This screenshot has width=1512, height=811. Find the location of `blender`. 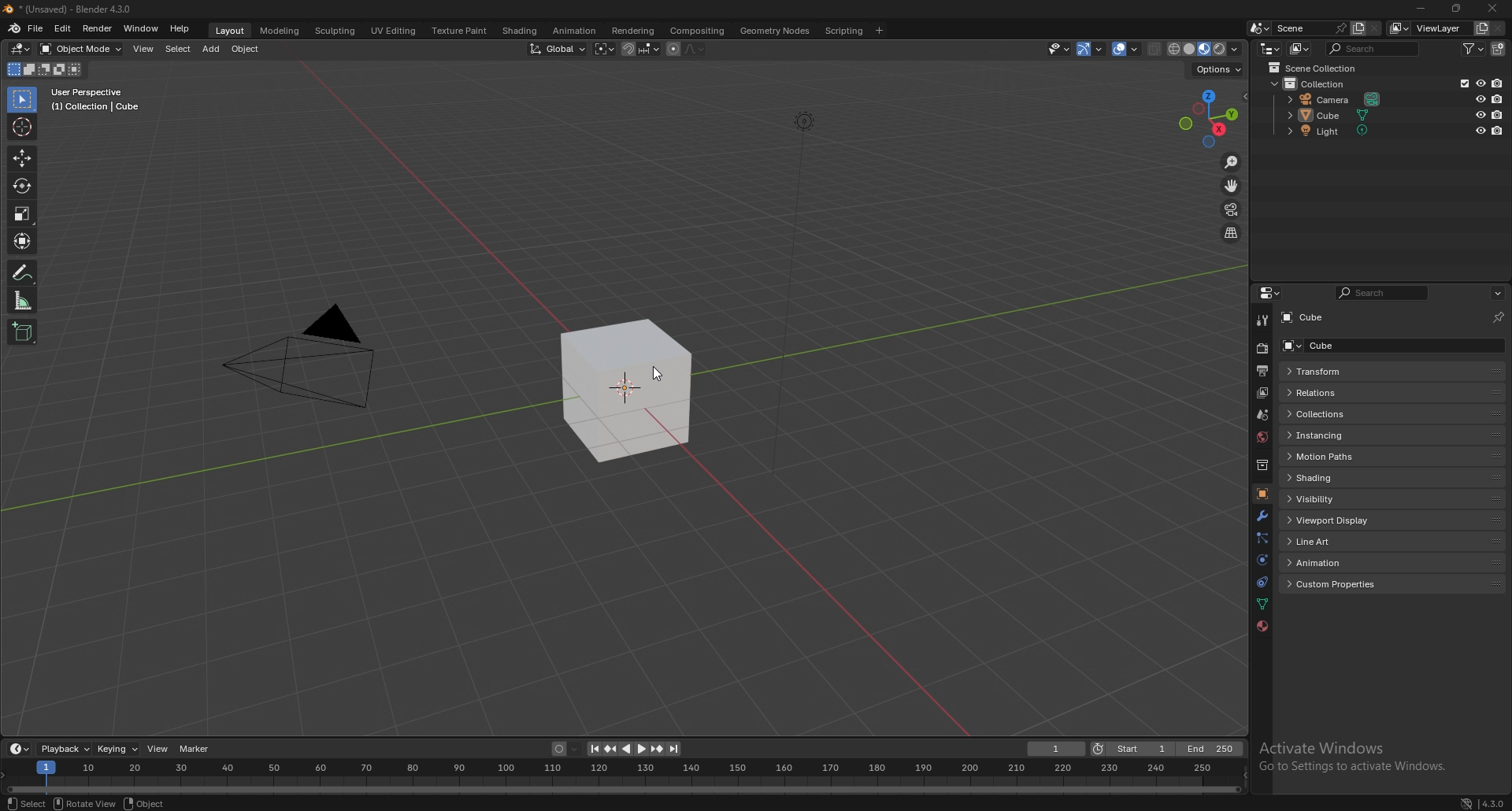

blender is located at coordinates (14, 27).